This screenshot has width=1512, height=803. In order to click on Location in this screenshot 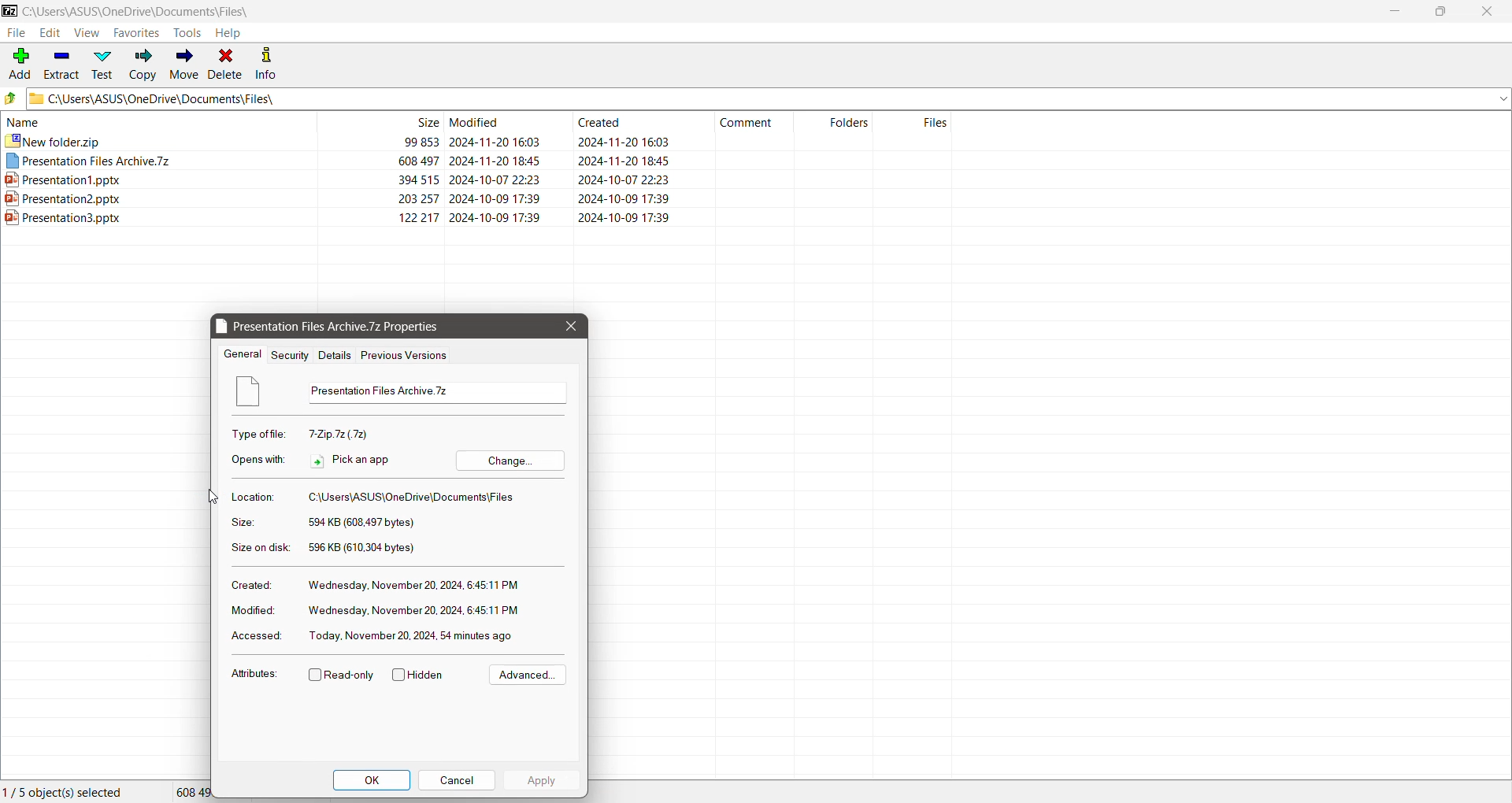, I will do `click(255, 496)`.